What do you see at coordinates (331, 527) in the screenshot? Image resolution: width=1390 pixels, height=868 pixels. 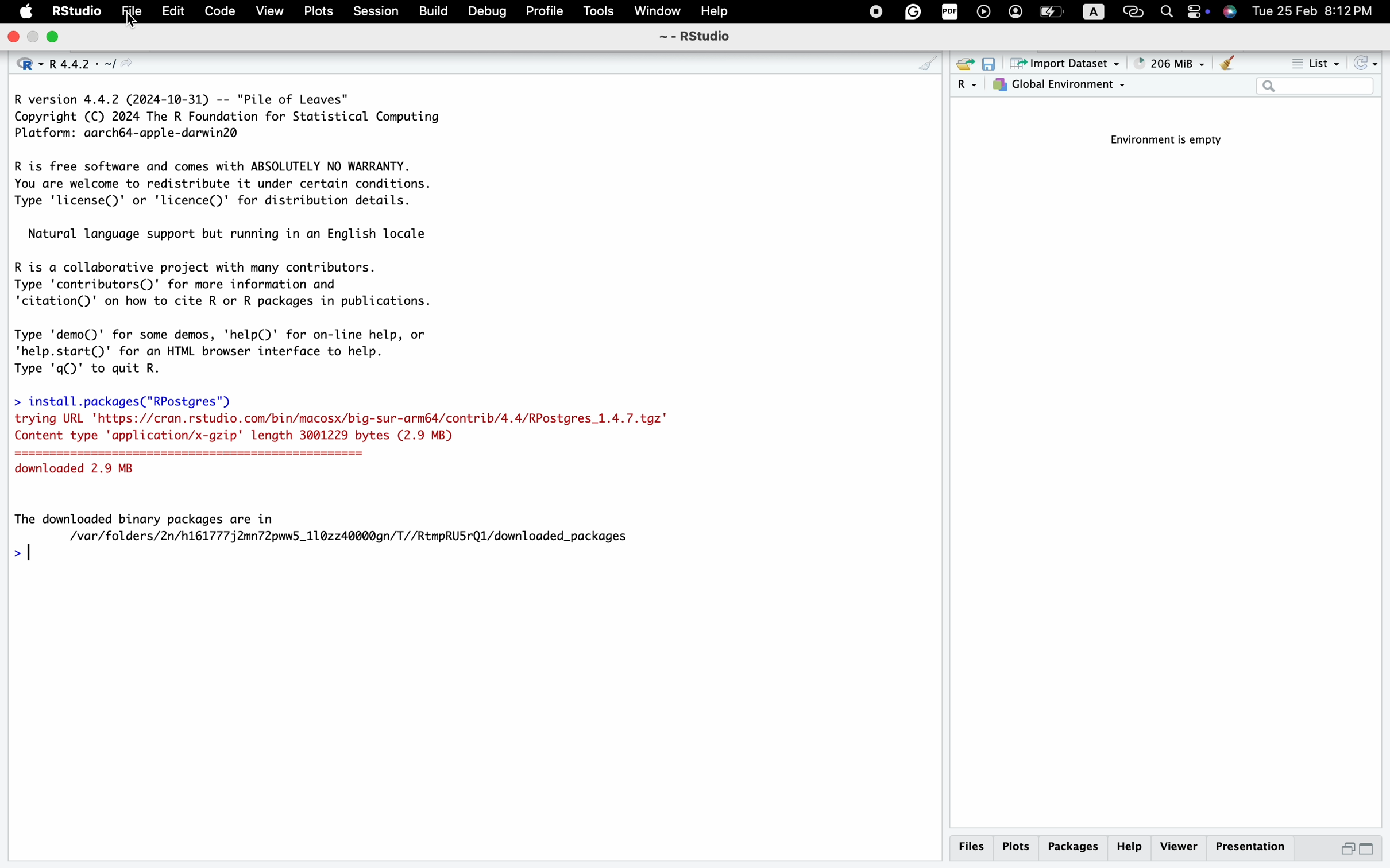 I see `The downloaded binary packages are in
/var/folders/2n/h16177752mn72pww5_110zz40000gn/T//RtmpRUSrQl/downloaded_packages` at bounding box center [331, 527].